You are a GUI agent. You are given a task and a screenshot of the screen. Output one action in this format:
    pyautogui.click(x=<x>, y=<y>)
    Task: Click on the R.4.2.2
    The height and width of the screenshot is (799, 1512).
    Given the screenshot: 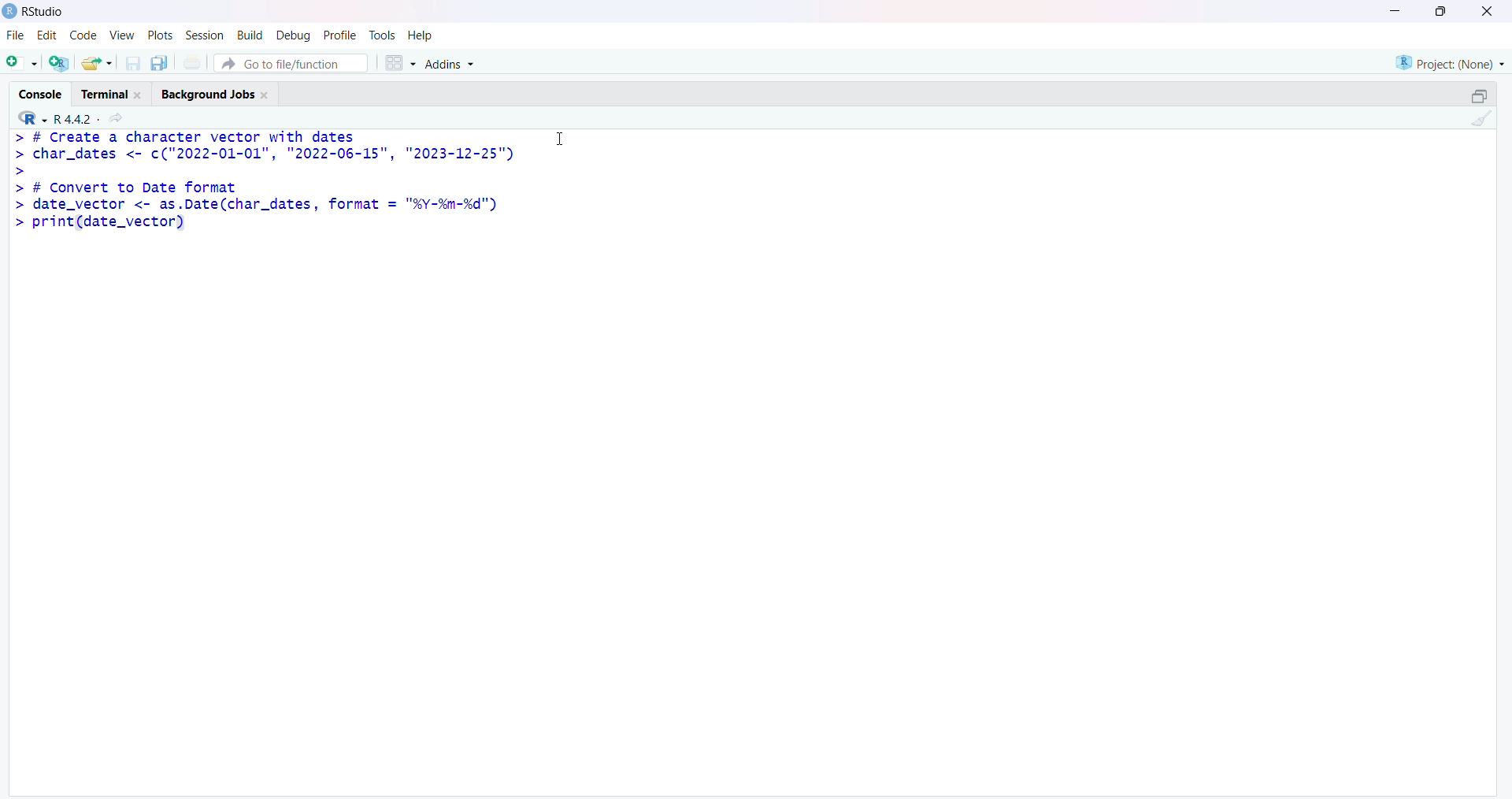 What is the action you would take?
    pyautogui.click(x=71, y=117)
    